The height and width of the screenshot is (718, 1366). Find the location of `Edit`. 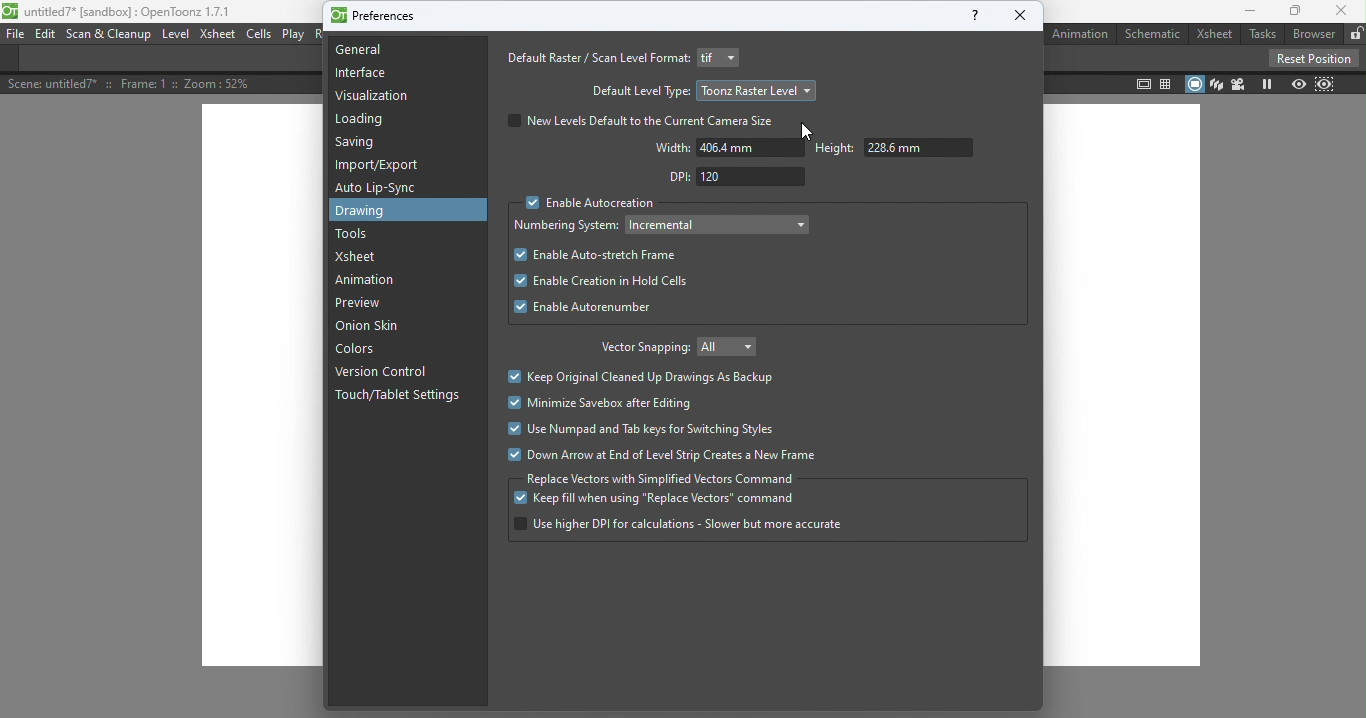

Edit is located at coordinates (46, 35).